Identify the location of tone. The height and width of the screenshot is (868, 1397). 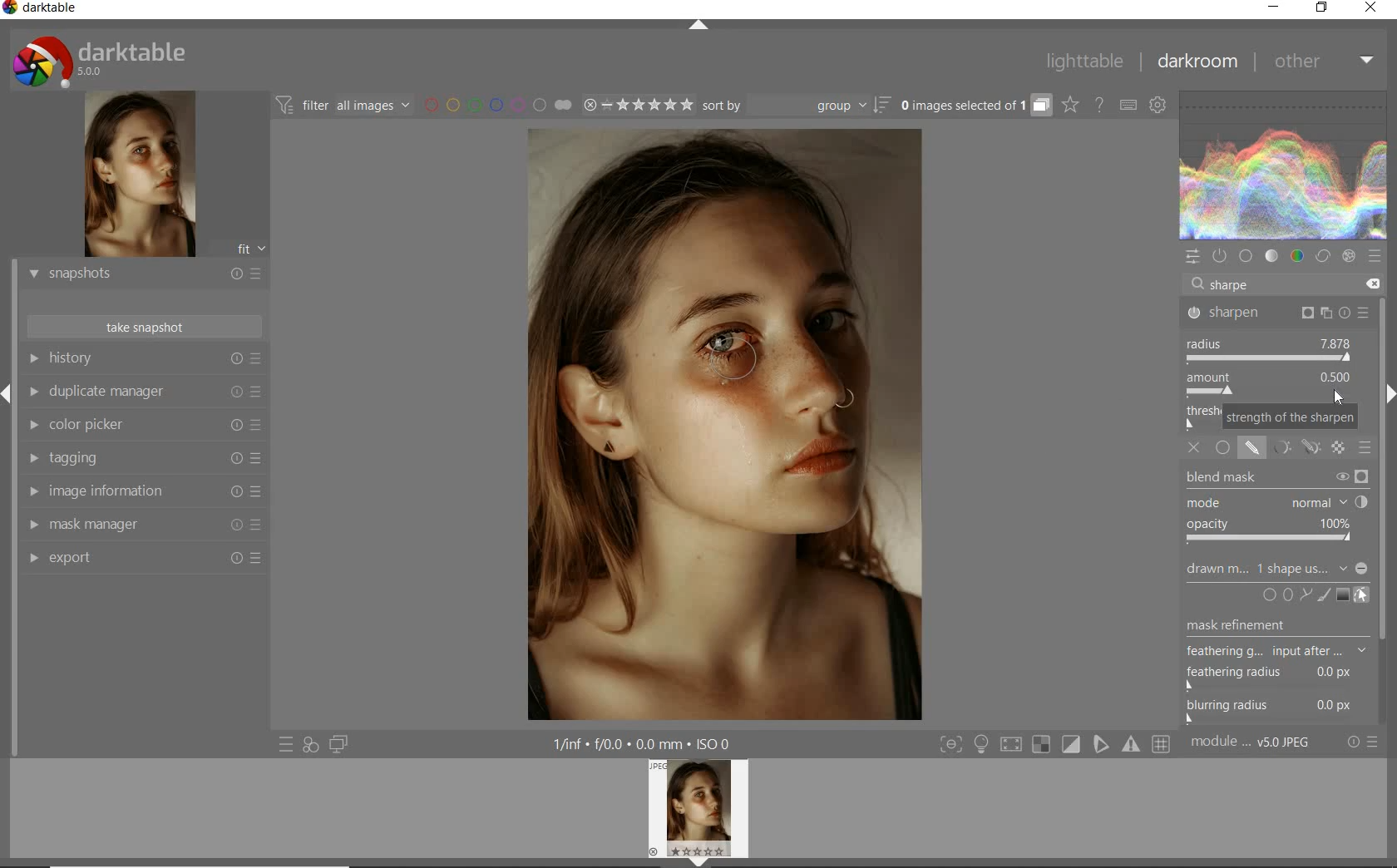
(1272, 256).